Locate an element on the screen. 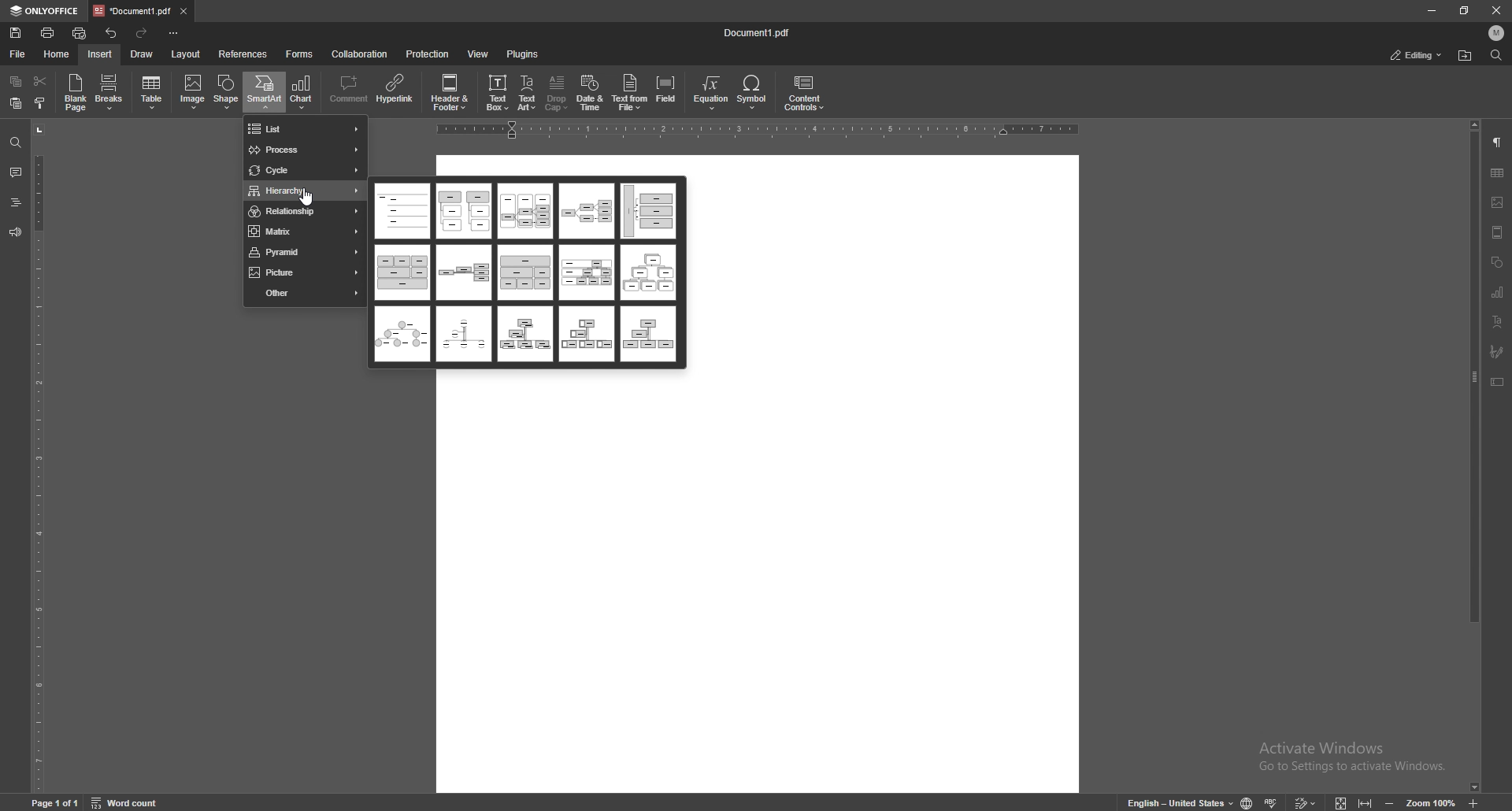  file is located at coordinates (20, 54).